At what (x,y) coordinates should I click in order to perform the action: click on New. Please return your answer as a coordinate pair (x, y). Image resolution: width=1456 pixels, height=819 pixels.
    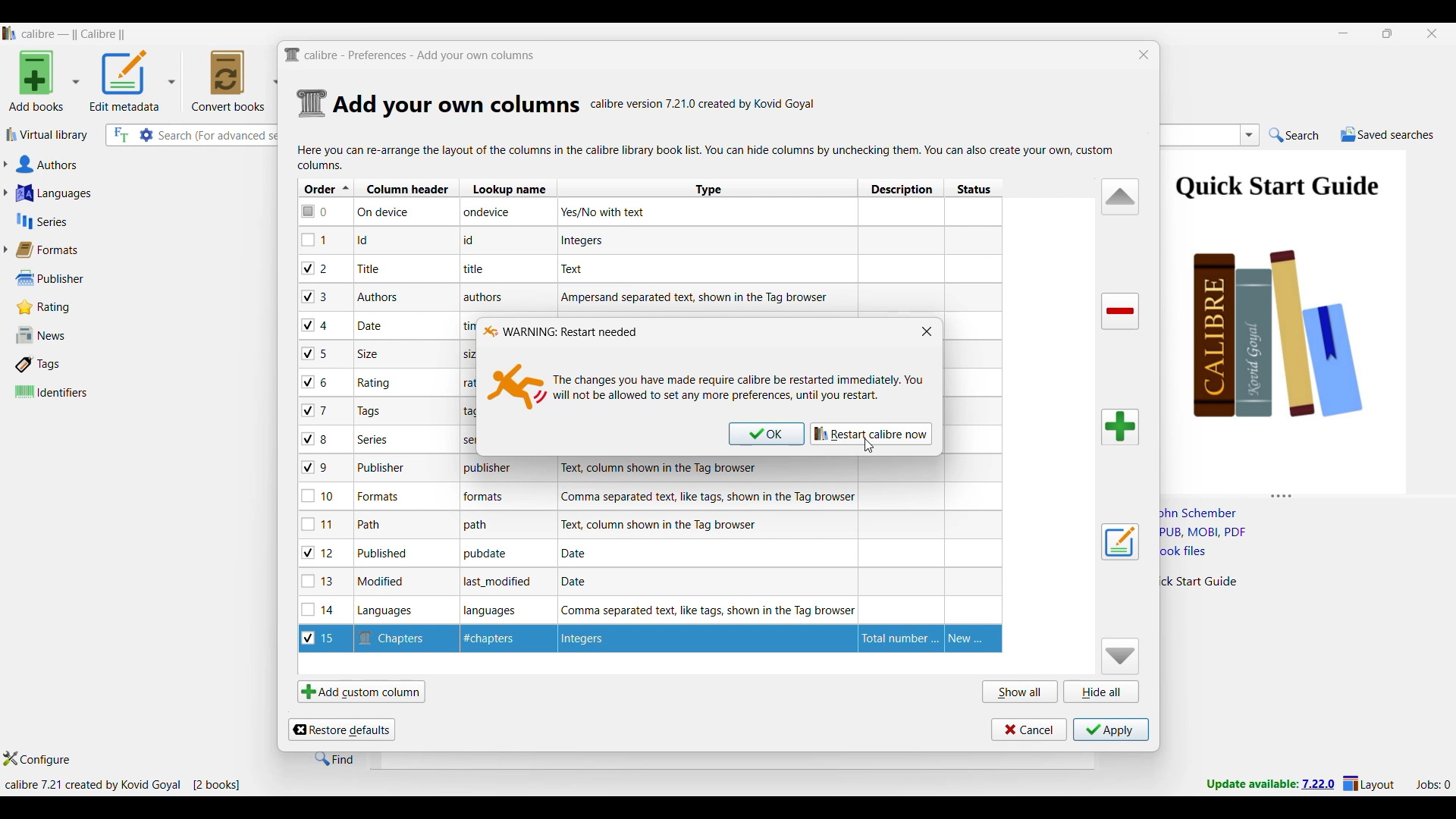
    Looking at the image, I should click on (973, 639).